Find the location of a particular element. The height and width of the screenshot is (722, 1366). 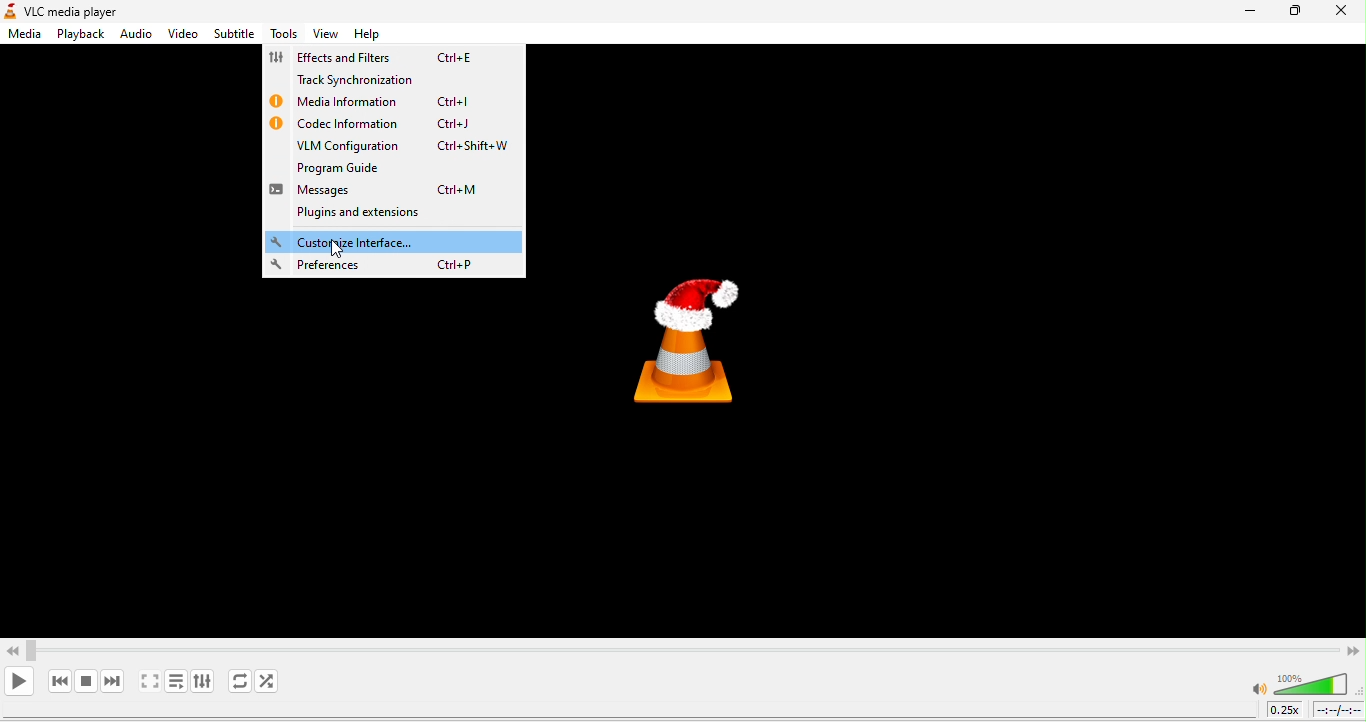

view is located at coordinates (324, 36).